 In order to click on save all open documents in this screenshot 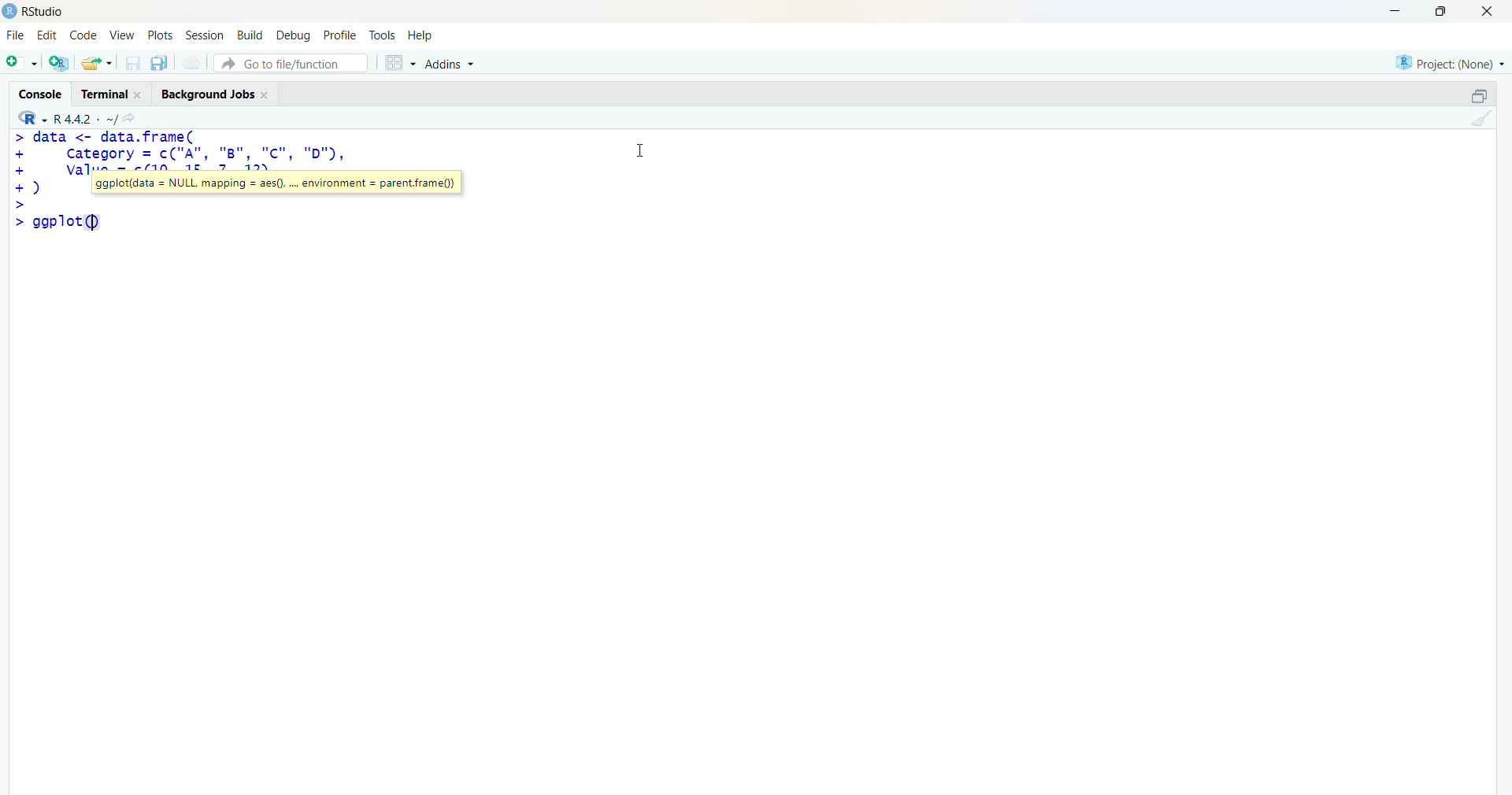, I will do `click(158, 63)`.